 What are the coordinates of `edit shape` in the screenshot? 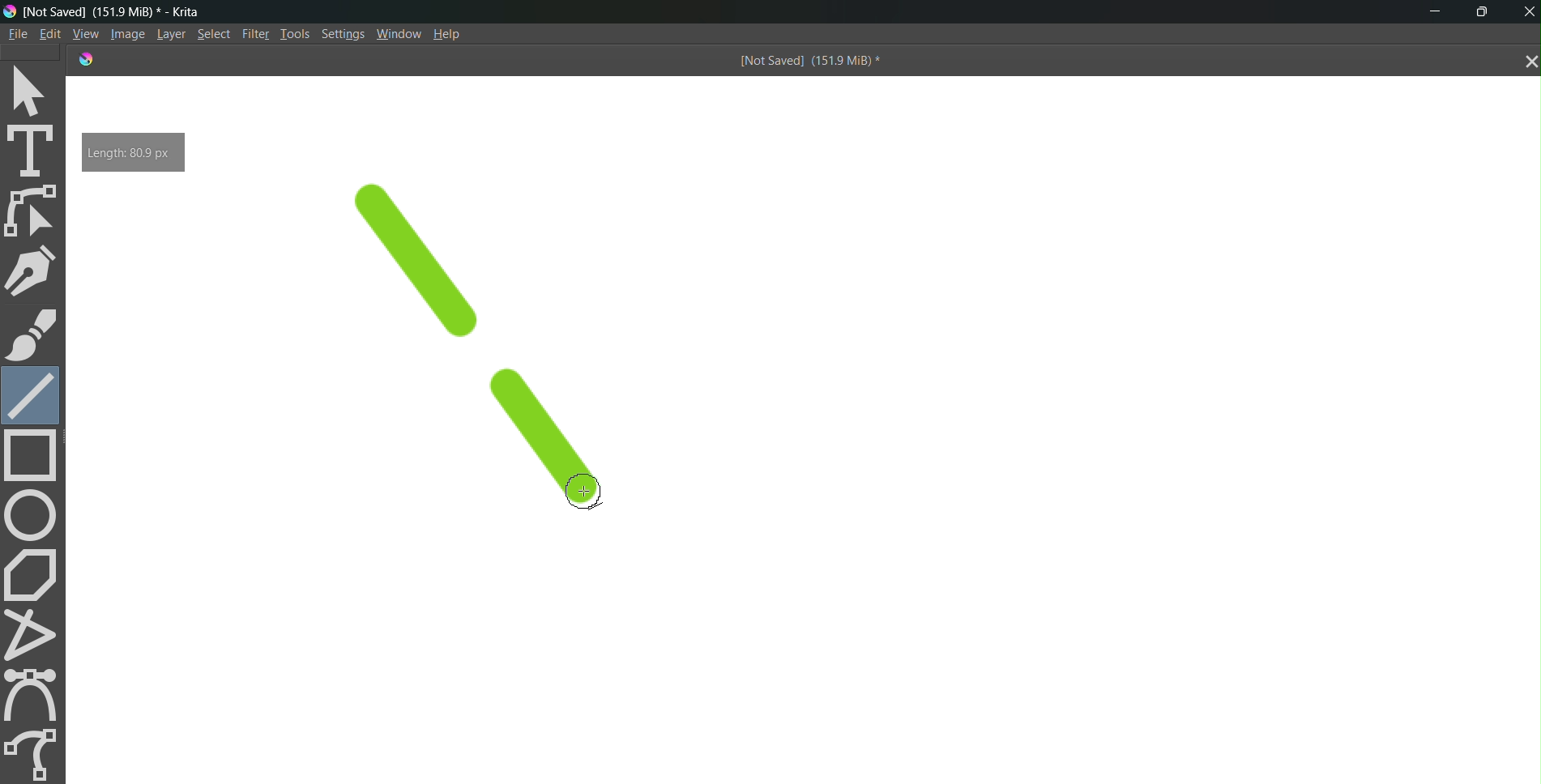 It's located at (35, 211).